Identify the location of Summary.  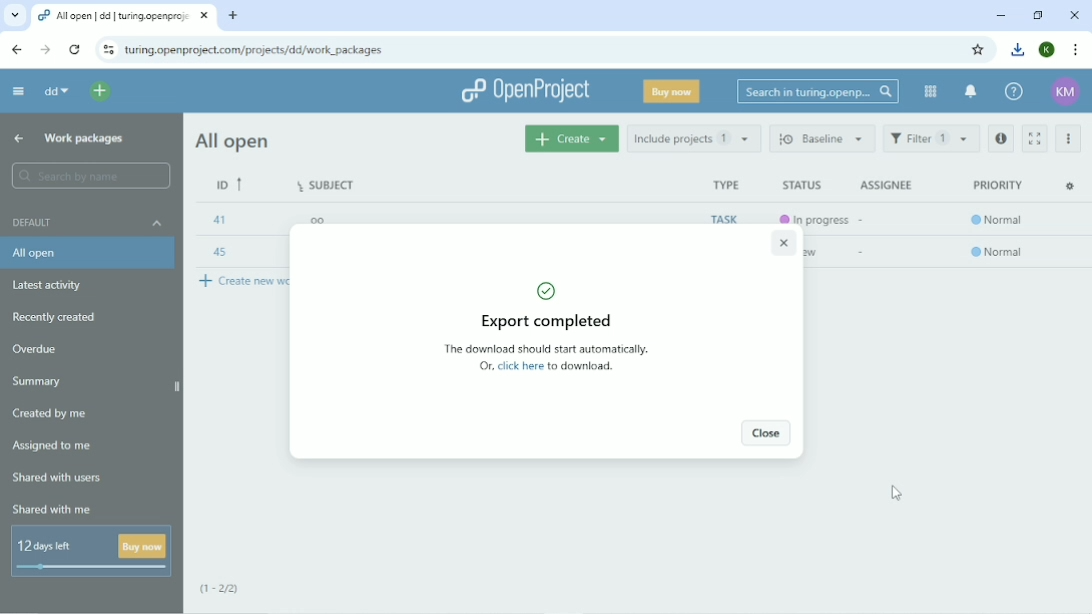
(36, 382).